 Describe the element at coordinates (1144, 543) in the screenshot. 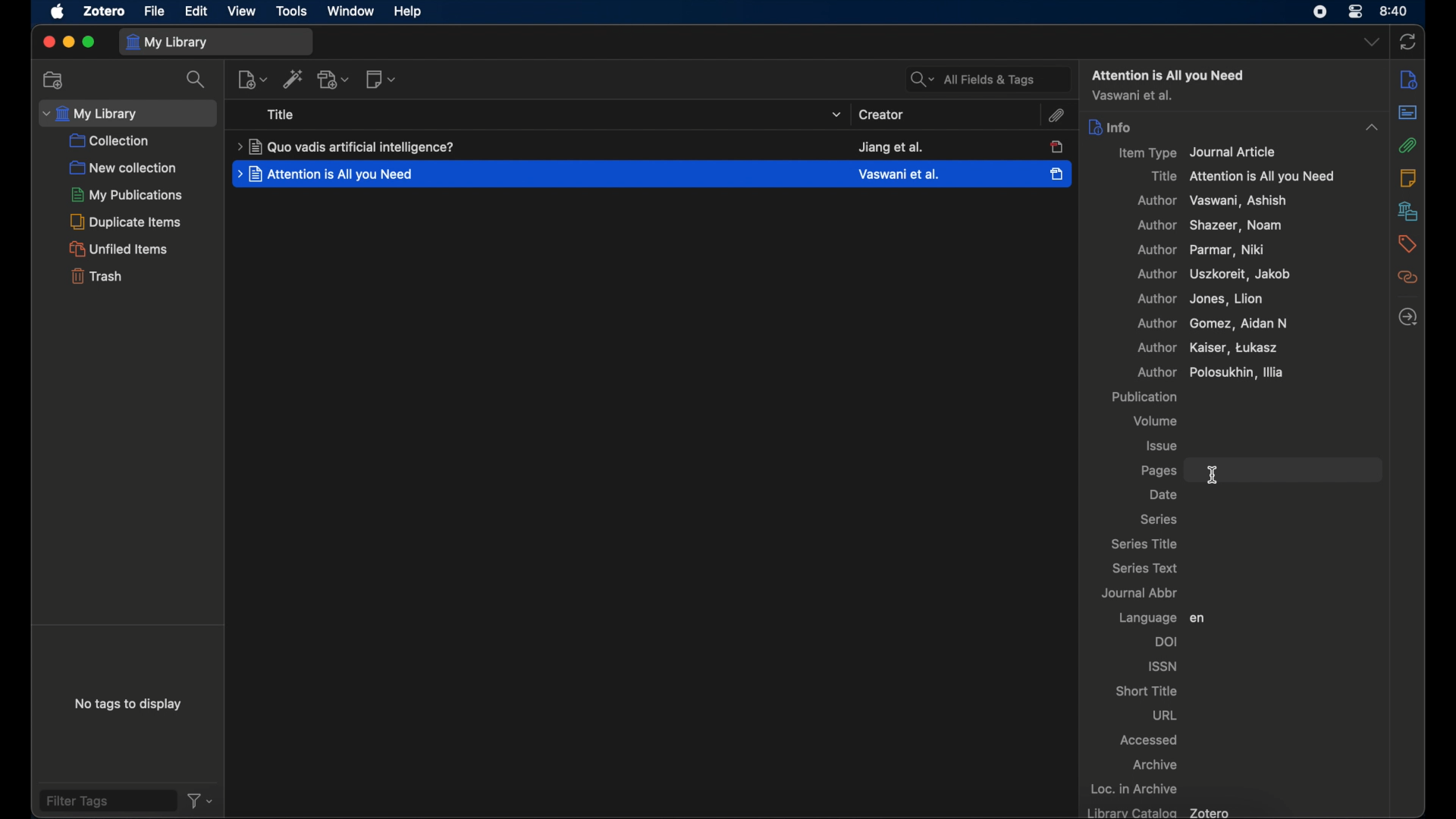

I see `series title` at that location.